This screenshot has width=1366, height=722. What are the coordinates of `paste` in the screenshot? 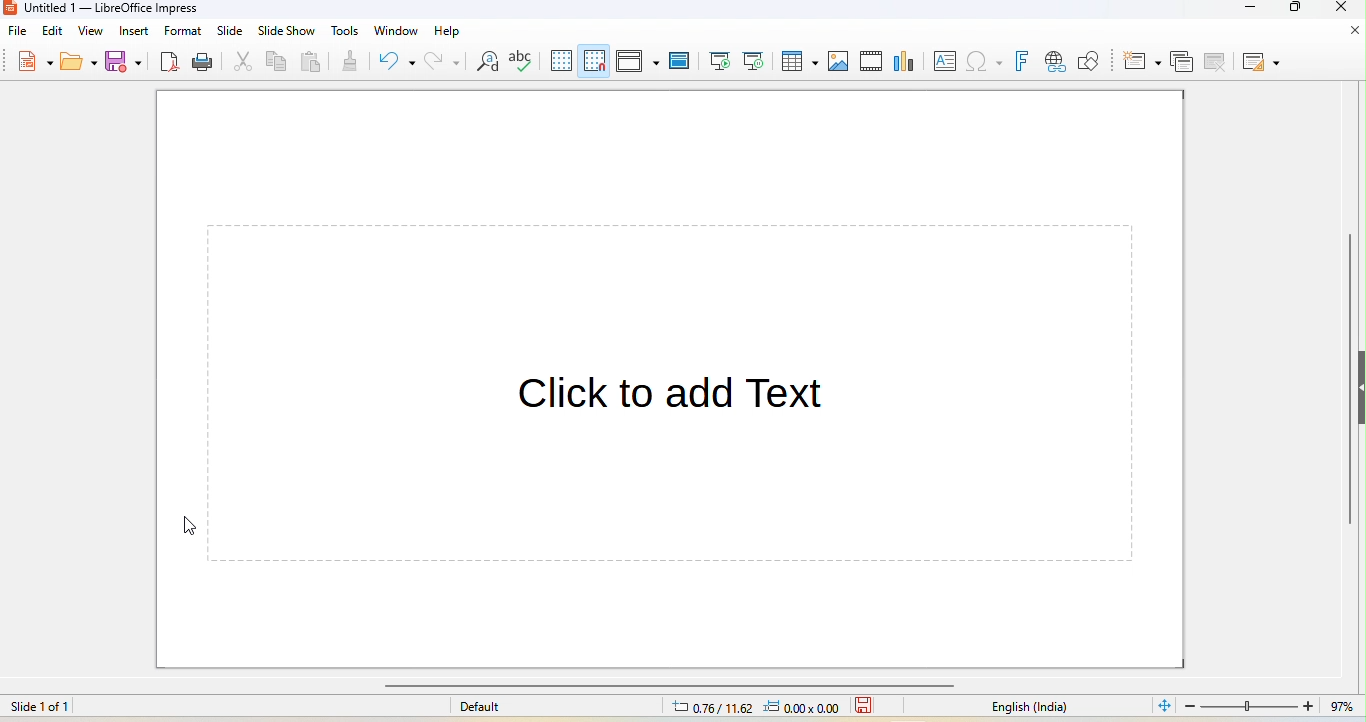 It's located at (312, 64).